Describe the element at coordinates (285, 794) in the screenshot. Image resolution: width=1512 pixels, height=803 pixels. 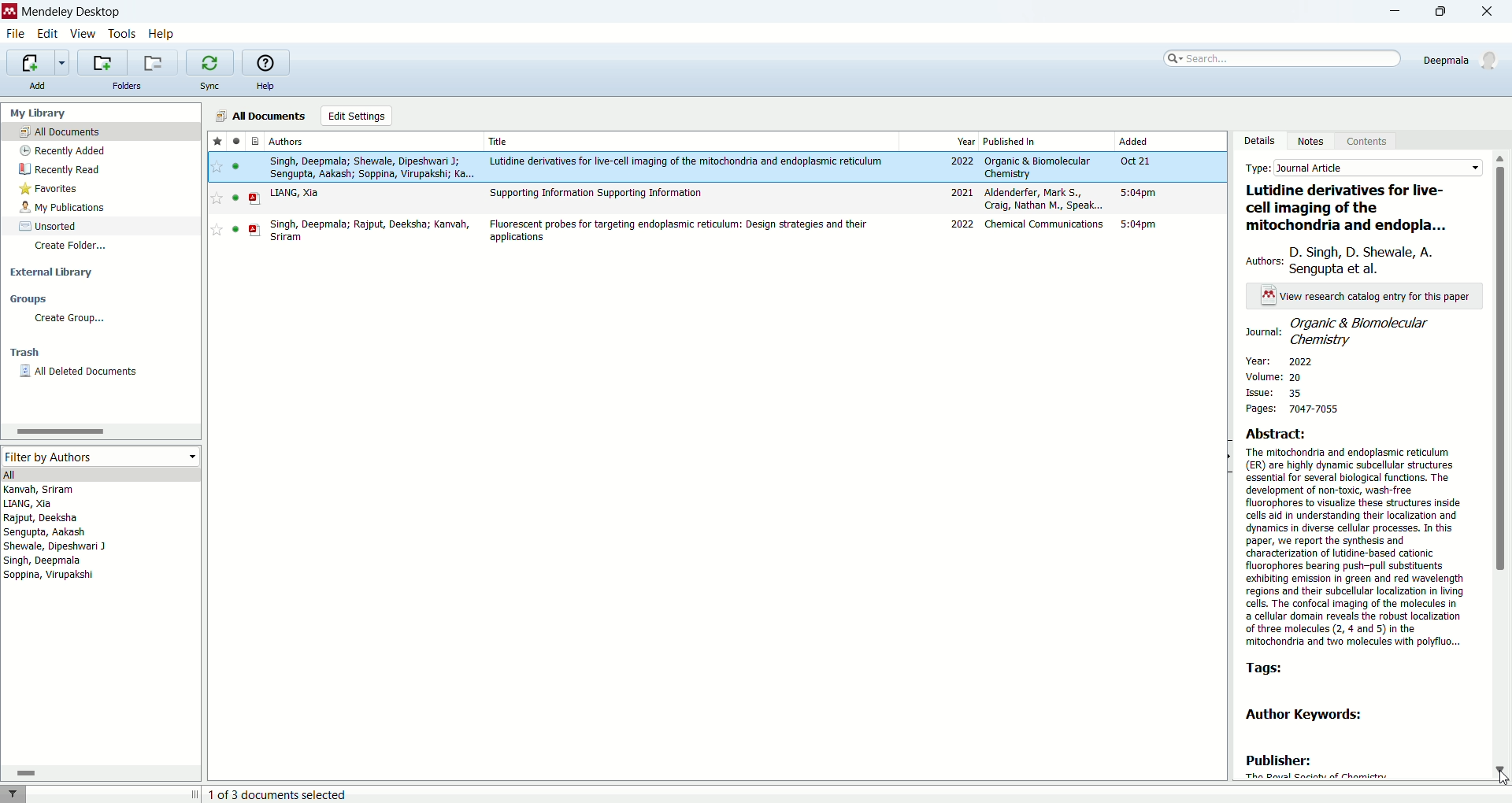
I see `1 of 3 document selected` at that location.